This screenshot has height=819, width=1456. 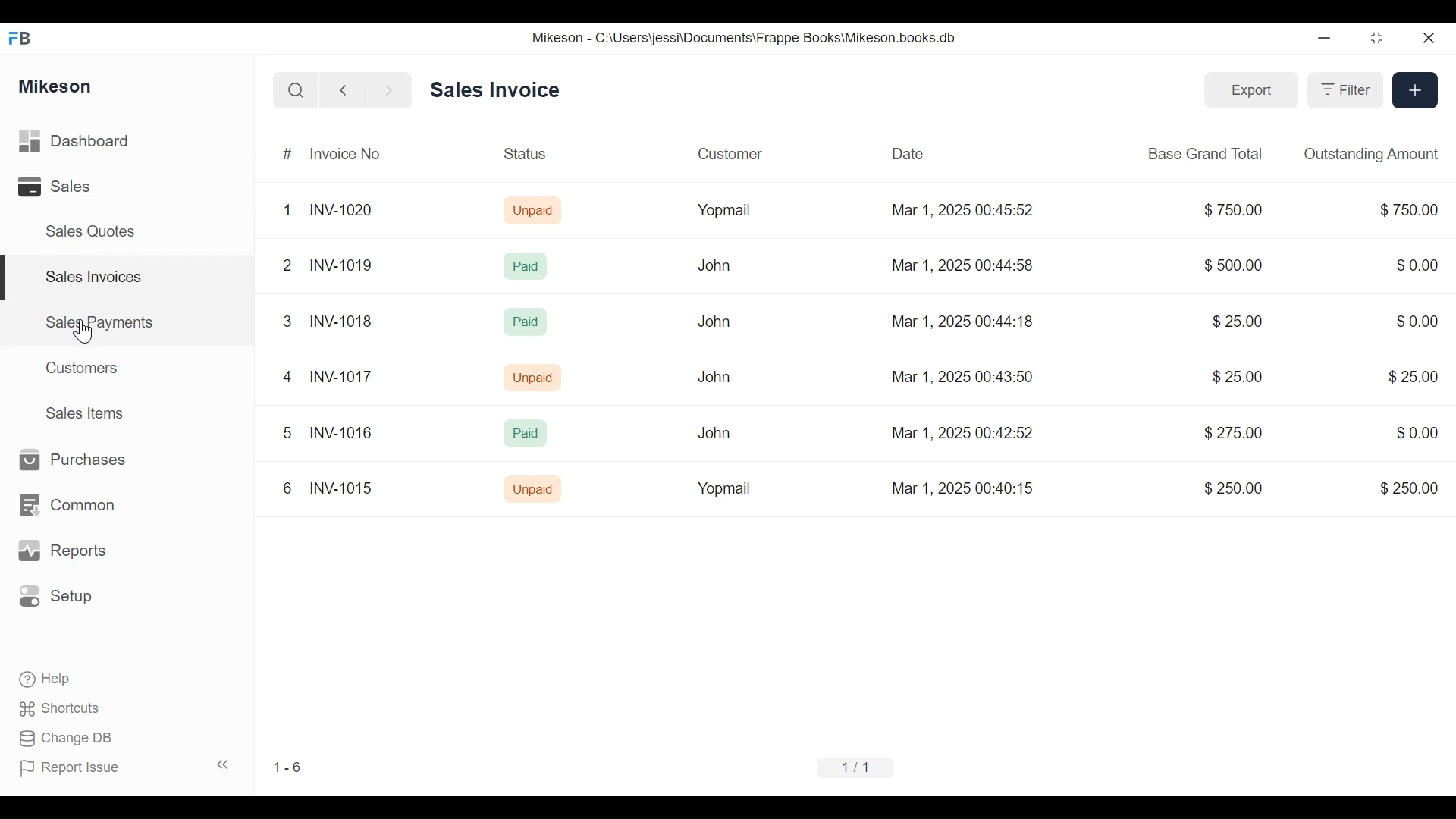 What do you see at coordinates (733, 152) in the screenshot?
I see `Customer` at bounding box center [733, 152].